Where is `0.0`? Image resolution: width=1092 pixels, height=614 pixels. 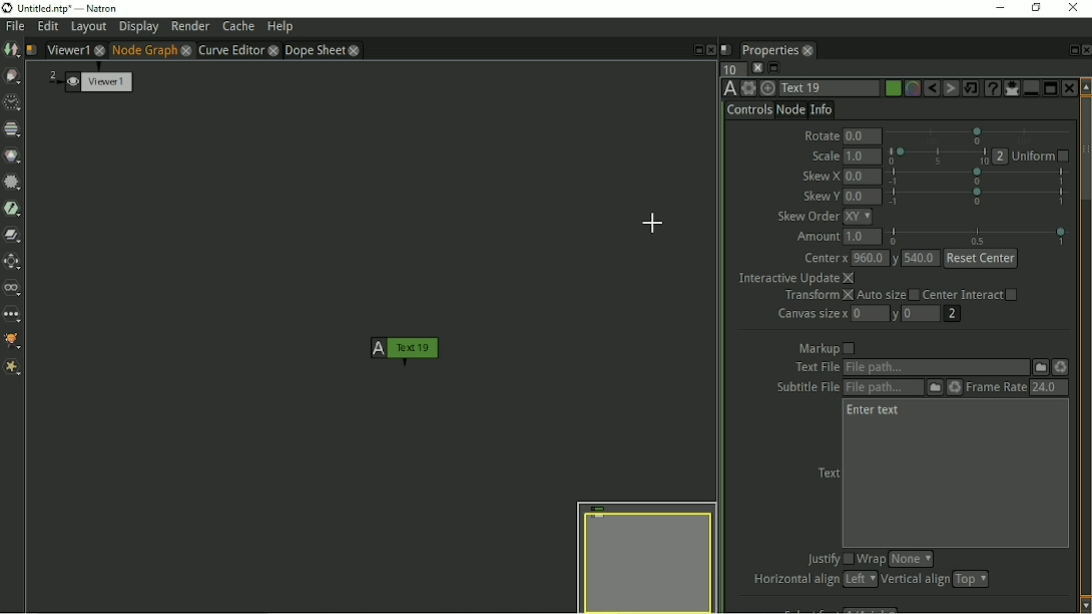
0.0 is located at coordinates (863, 177).